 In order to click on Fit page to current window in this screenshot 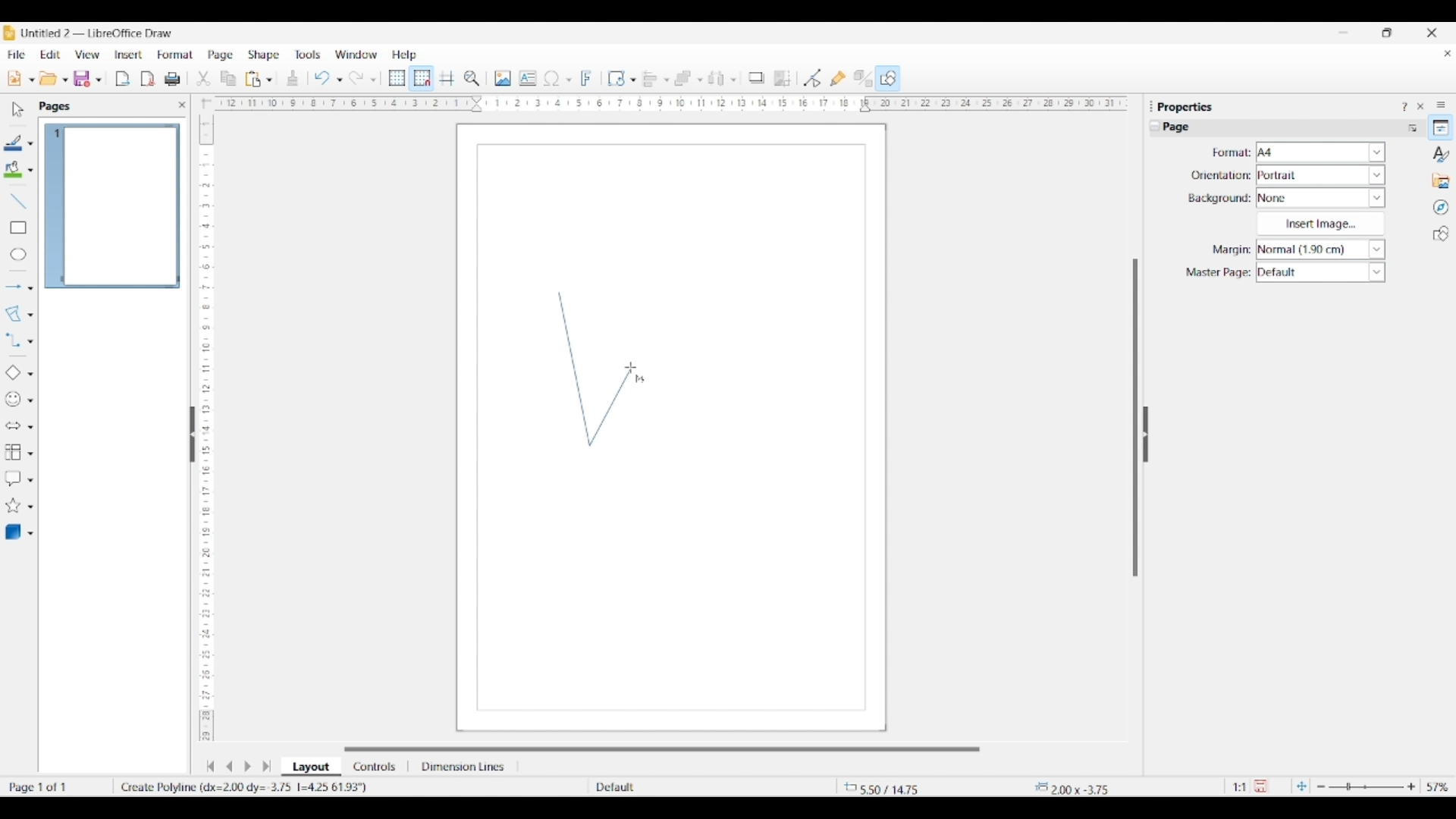, I will do `click(1301, 786)`.